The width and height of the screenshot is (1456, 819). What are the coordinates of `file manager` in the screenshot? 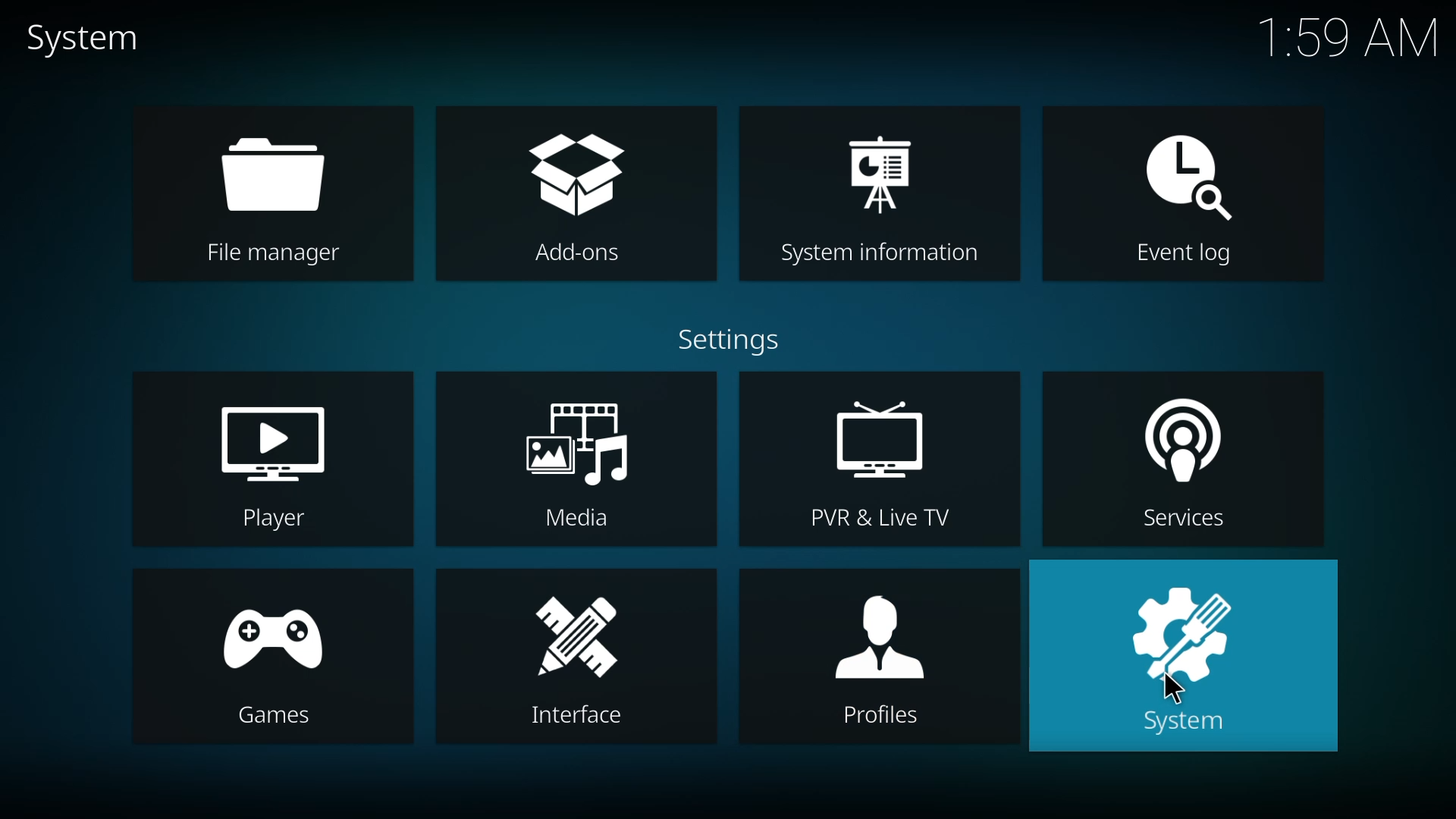 It's located at (269, 206).